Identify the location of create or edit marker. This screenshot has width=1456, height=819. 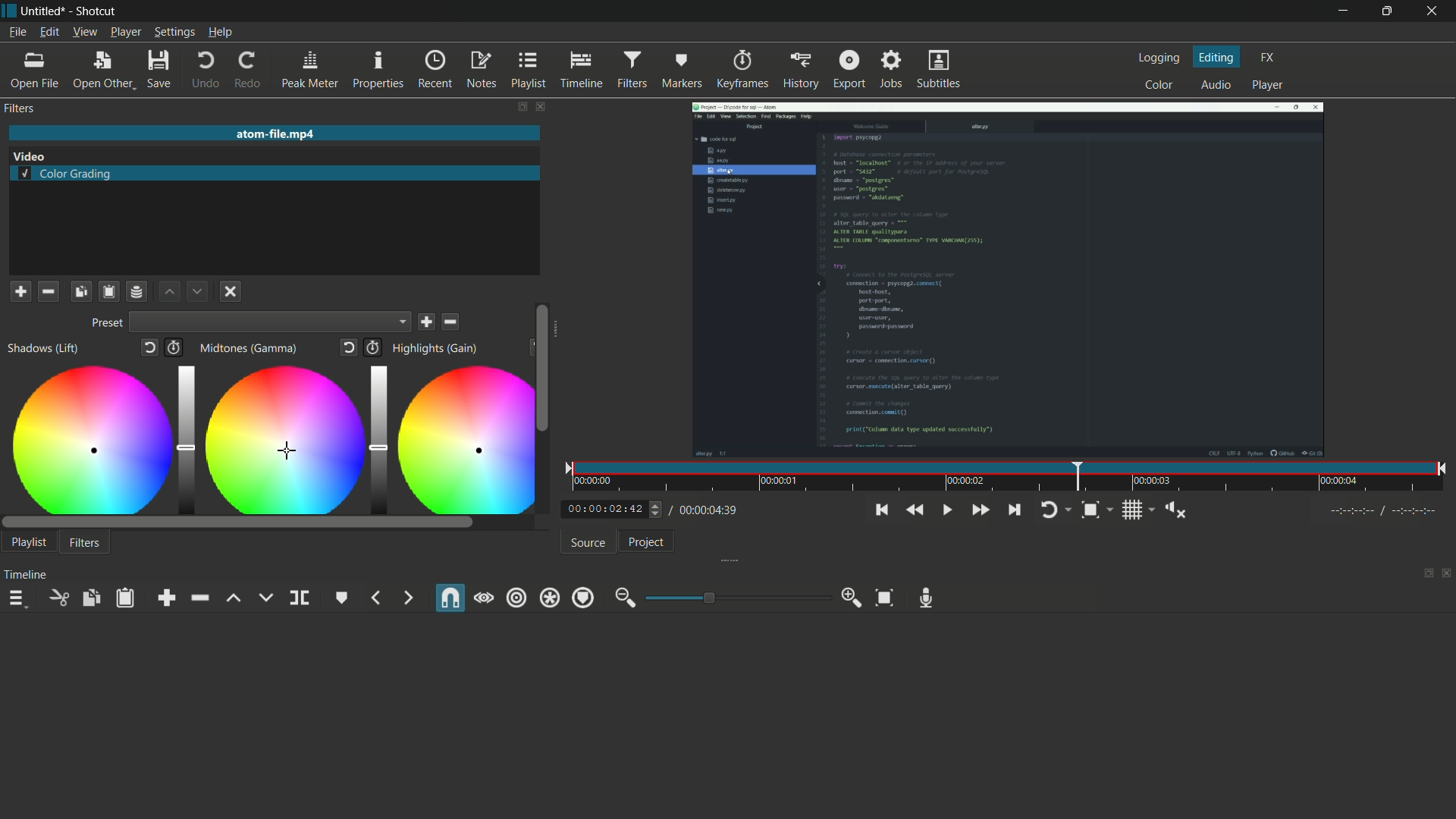
(342, 598).